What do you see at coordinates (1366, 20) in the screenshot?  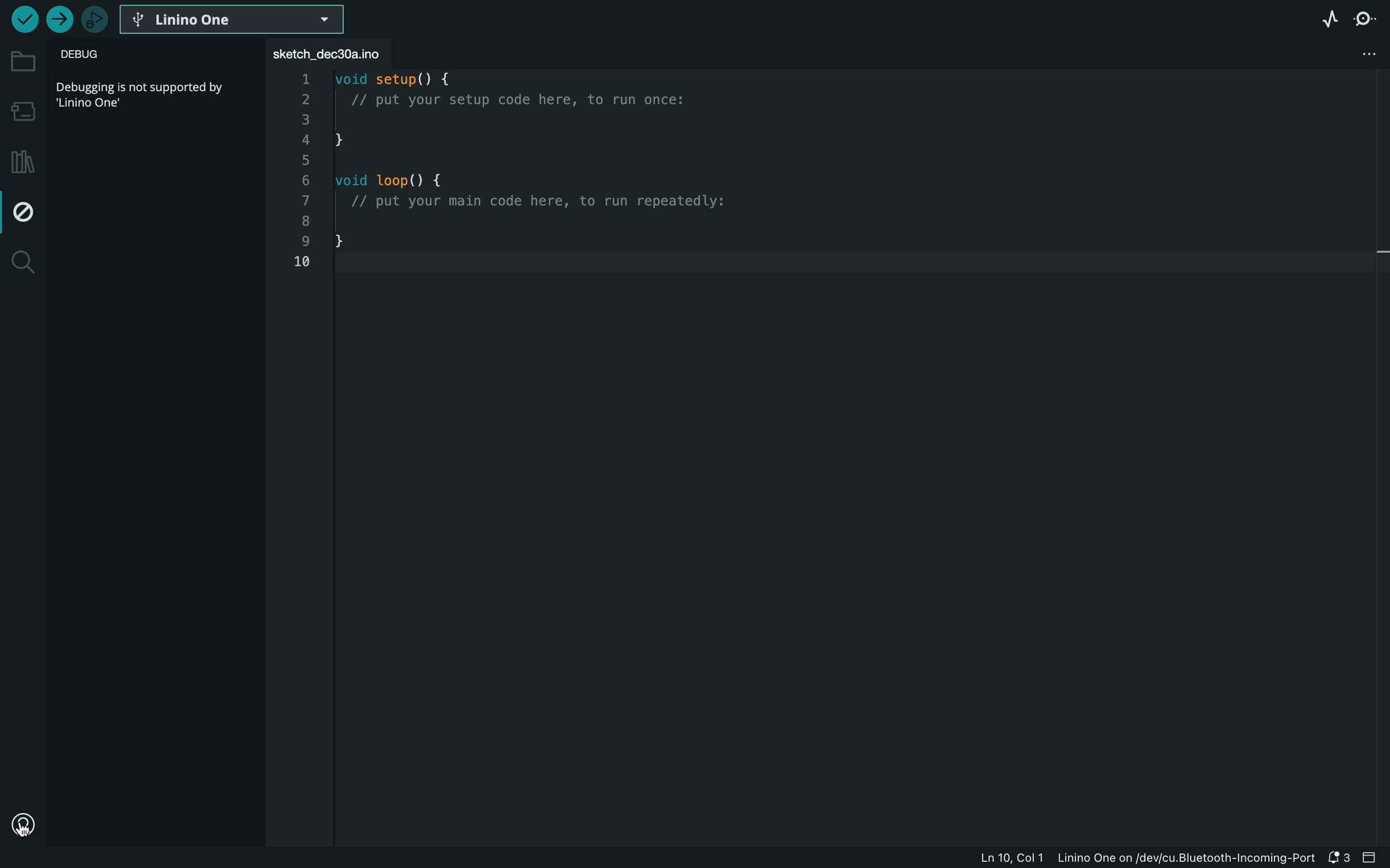 I see `serial monitor` at bounding box center [1366, 20].